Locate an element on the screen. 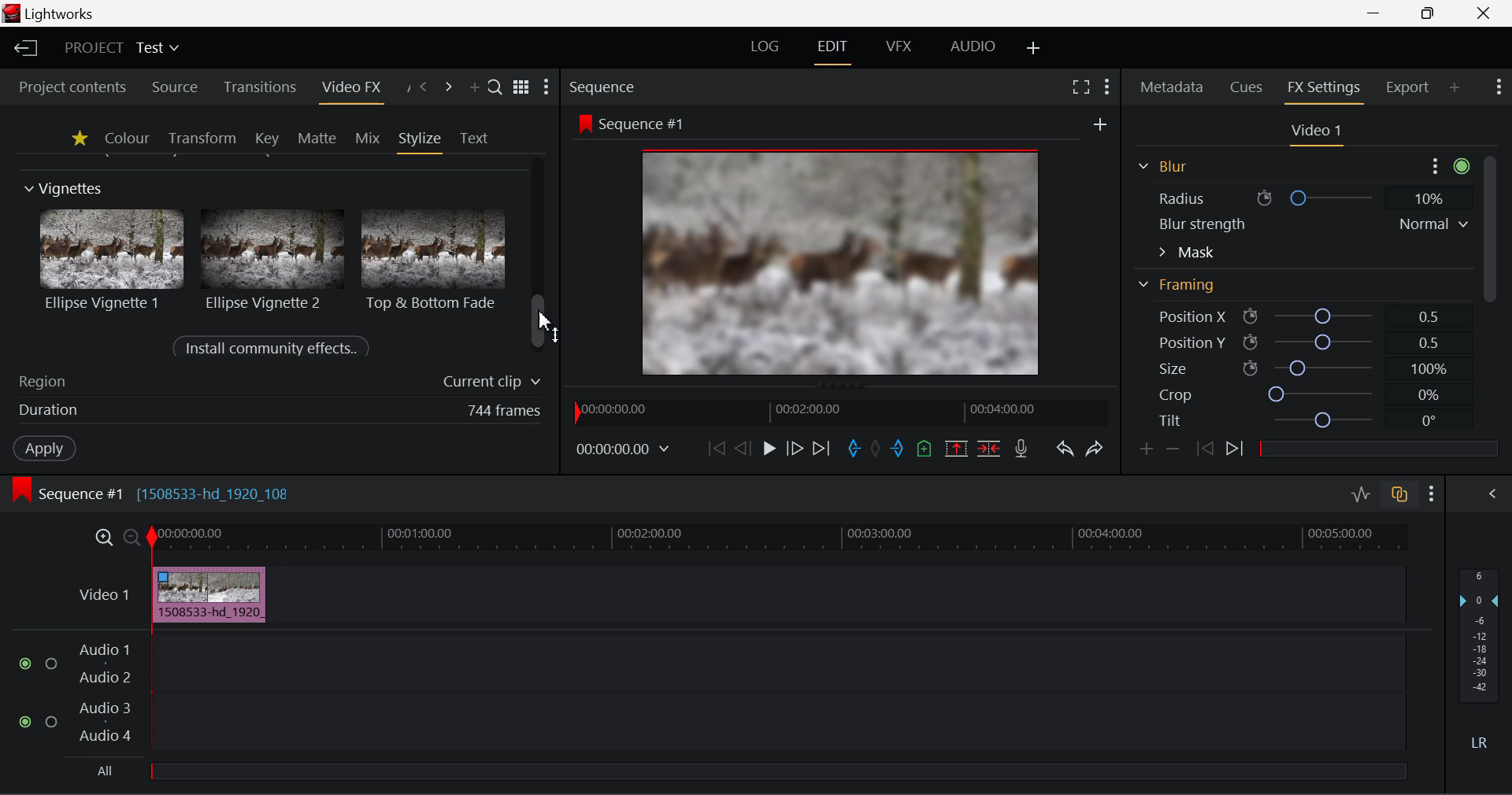 This screenshot has height=795, width=1512. Record Voiceover is located at coordinates (1022, 447).